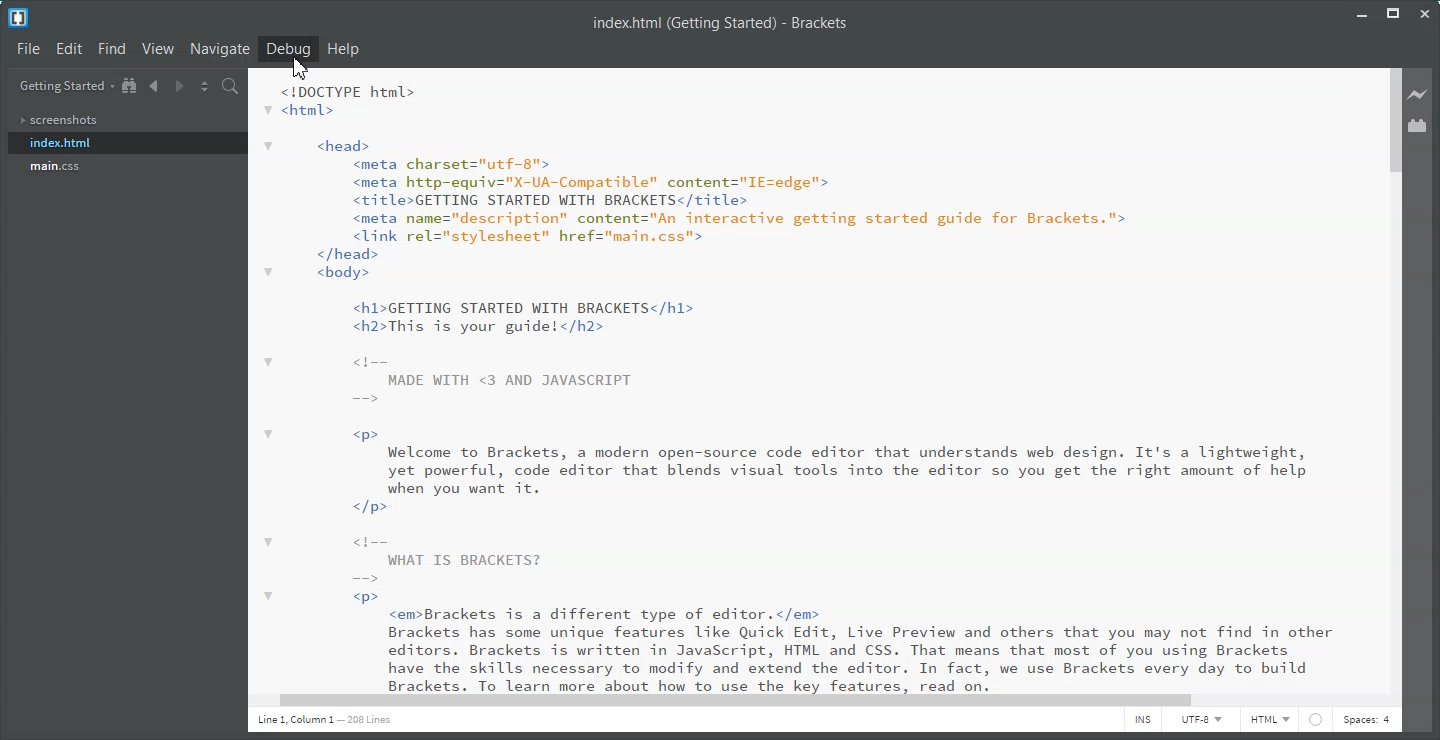 This screenshot has width=1440, height=740. Describe the element at coordinates (111, 49) in the screenshot. I see `Find` at that location.